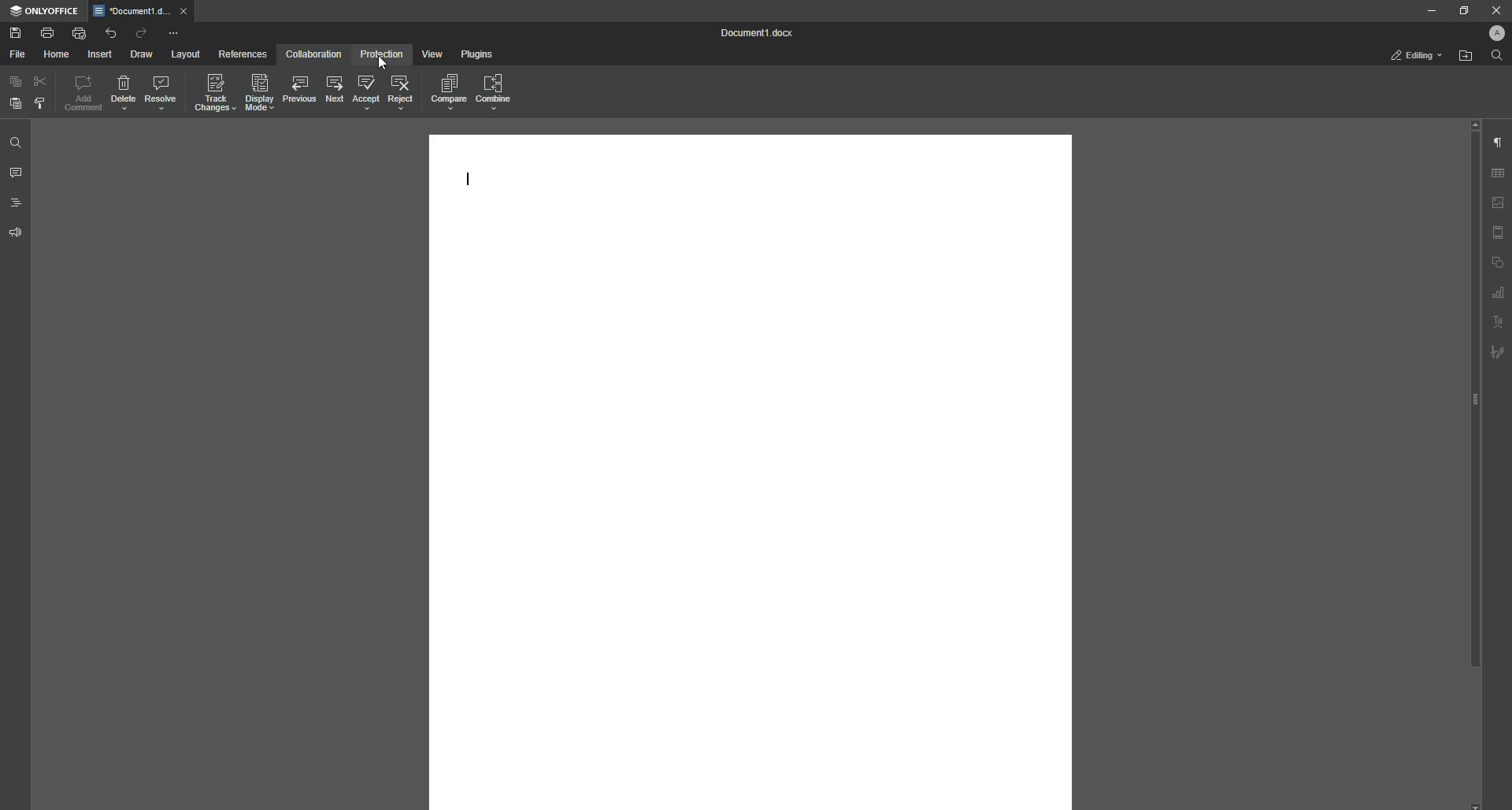 This screenshot has height=810, width=1512. I want to click on close, so click(183, 11).